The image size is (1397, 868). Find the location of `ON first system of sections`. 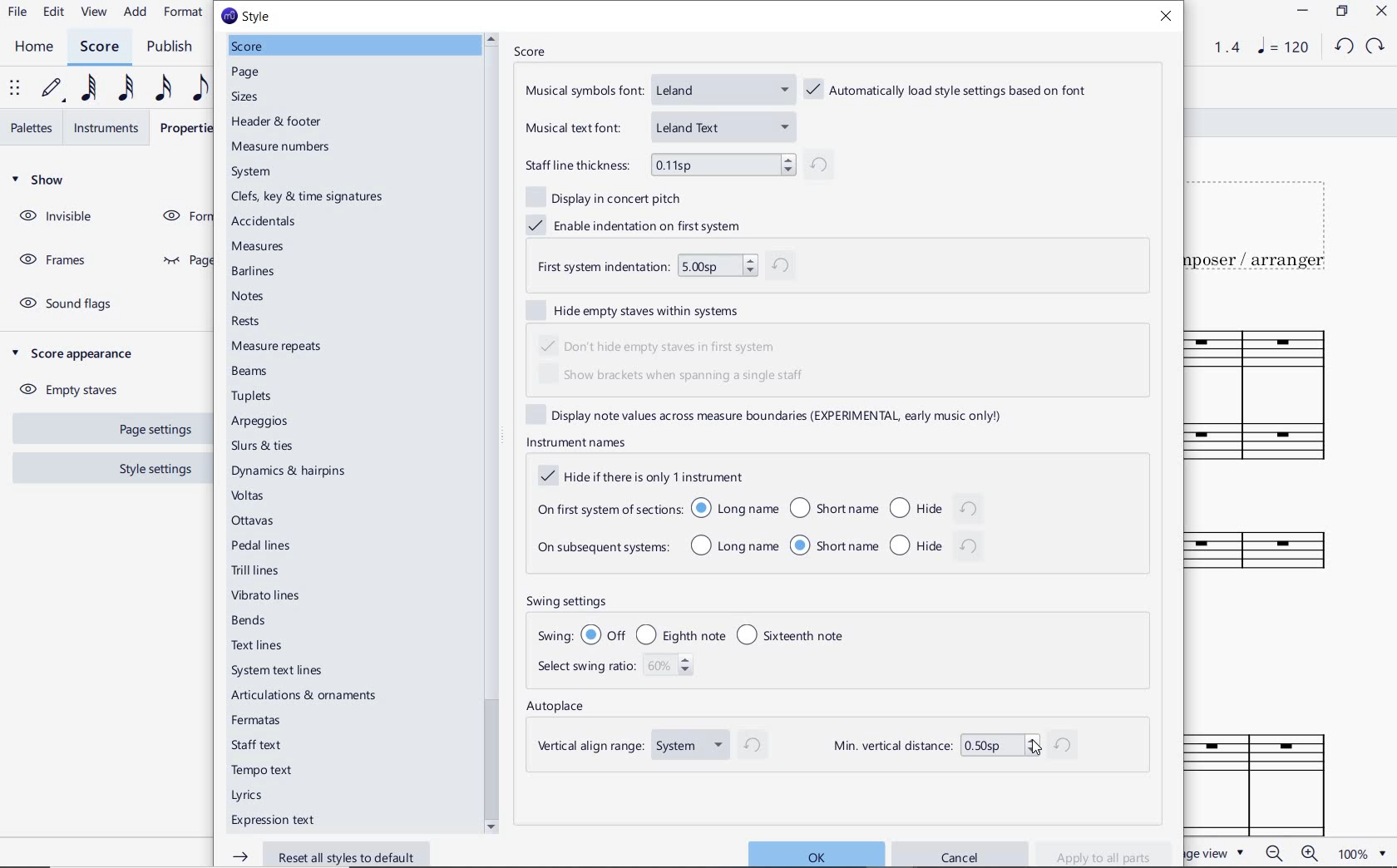

ON first system of sections is located at coordinates (607, 508).